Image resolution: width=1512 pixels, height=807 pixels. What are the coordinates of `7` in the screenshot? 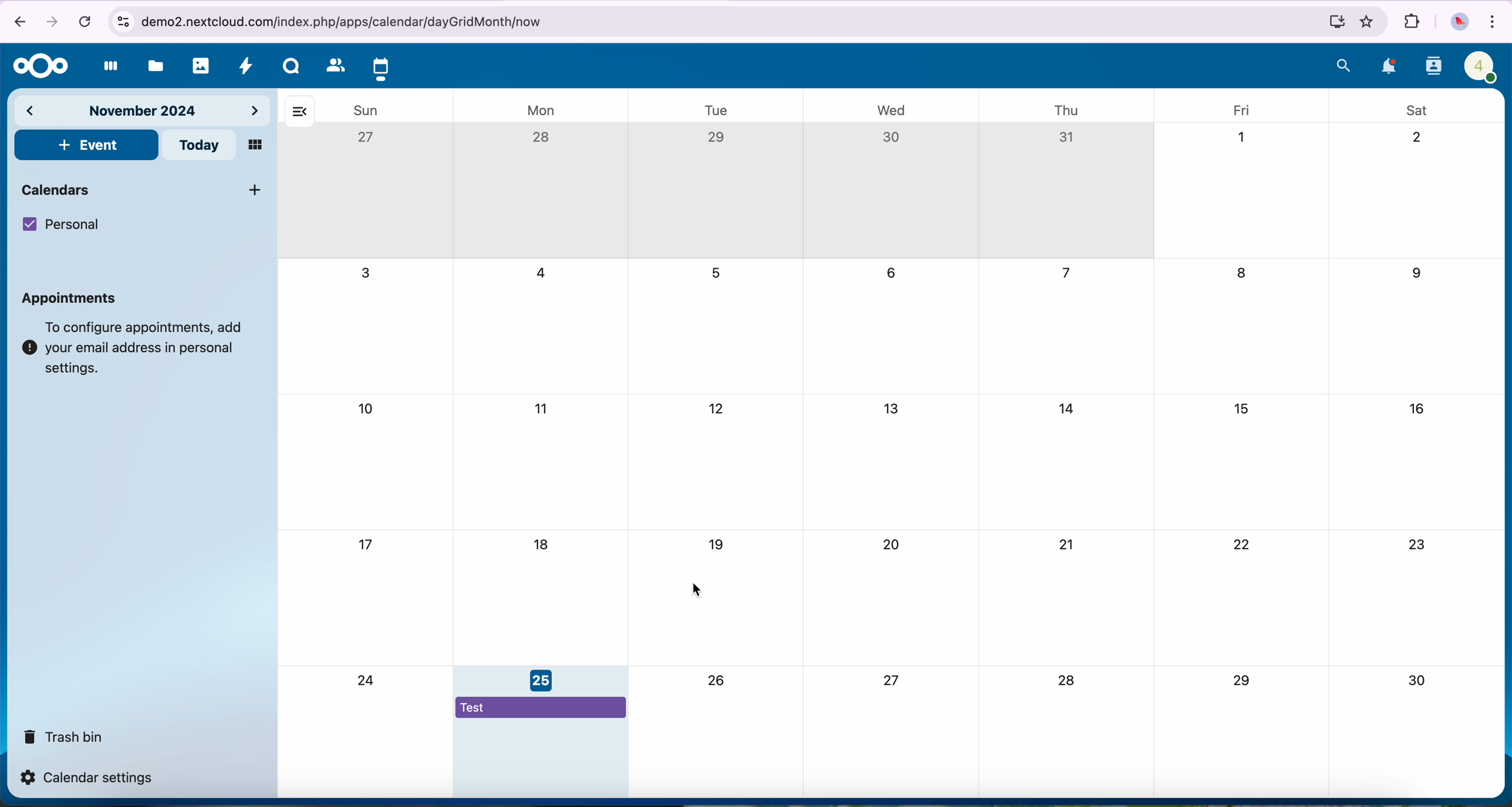 It's located at (1065, 274).